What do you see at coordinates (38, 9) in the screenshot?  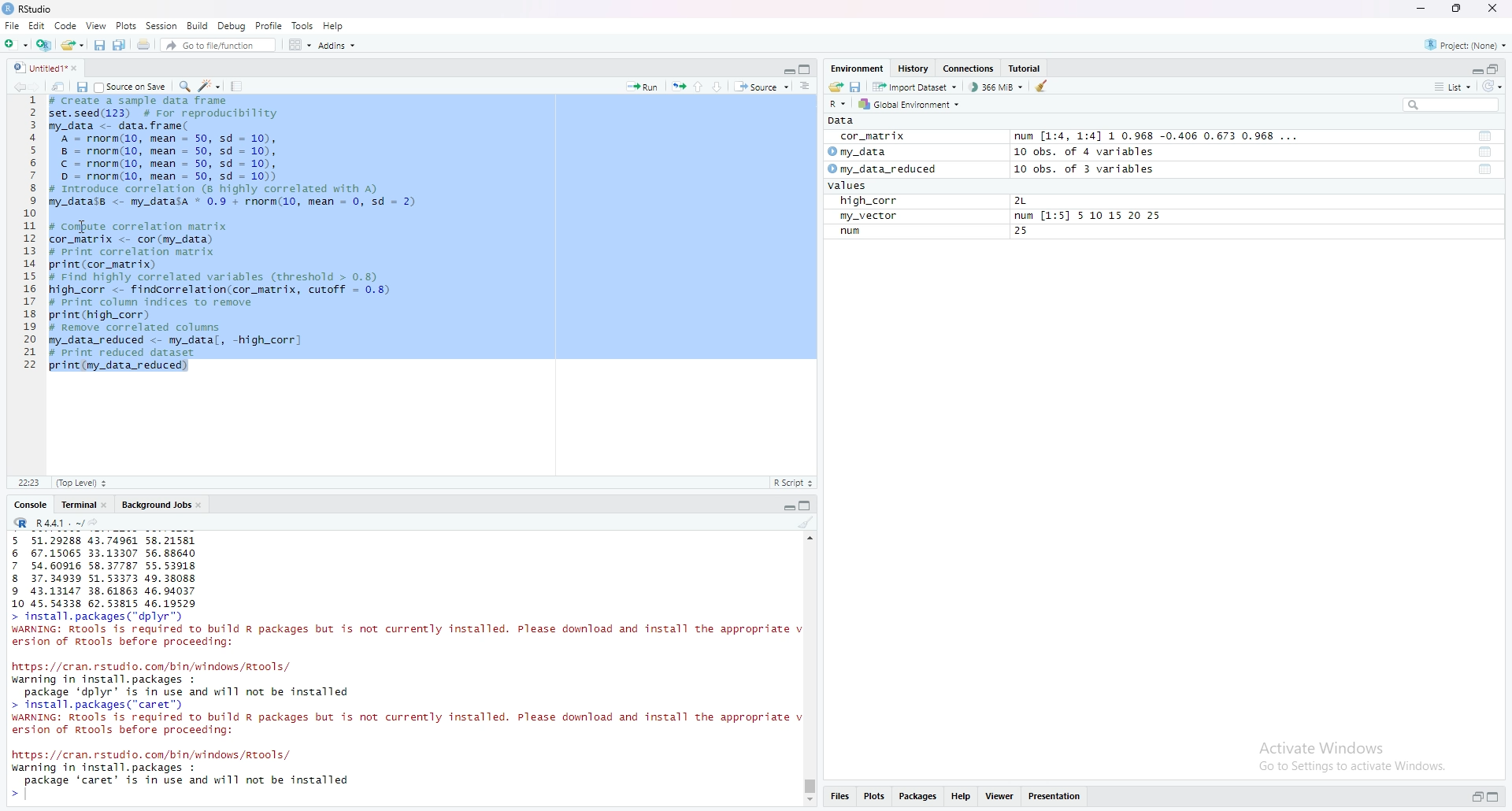 I see `RStudio` at bounding box center [38, 9].